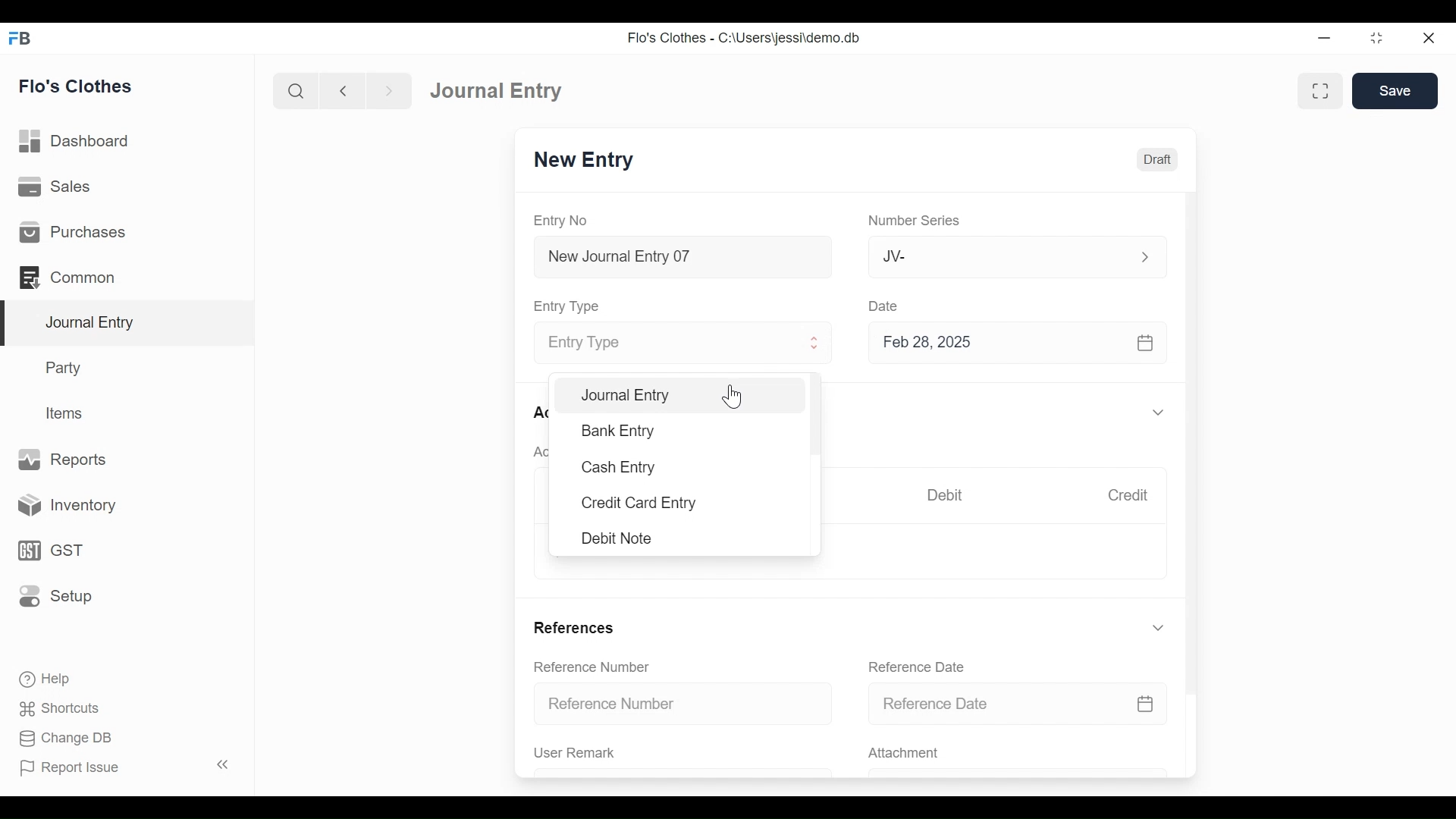  What do you see at coordinates (620, 467) in the screenshot?
I see `Cash Entry` at bounding box center [620, 467].